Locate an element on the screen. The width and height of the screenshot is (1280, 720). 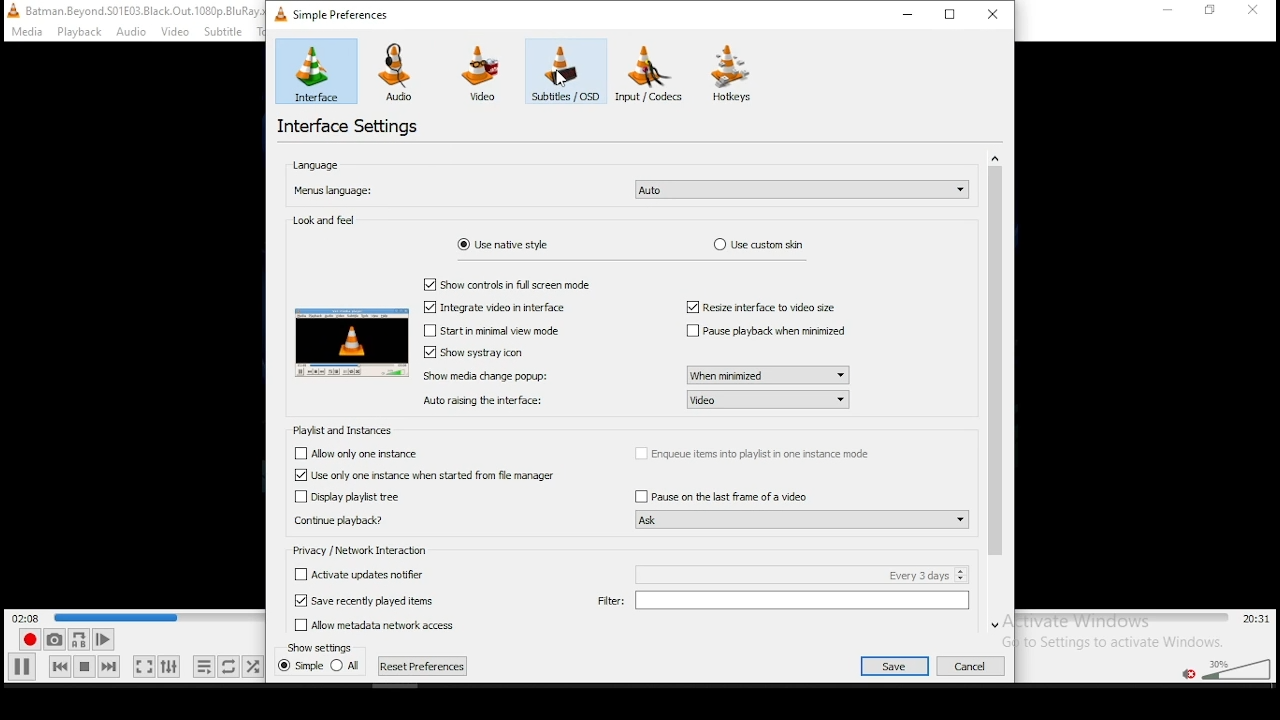
 is located at coordinates (491, 375).